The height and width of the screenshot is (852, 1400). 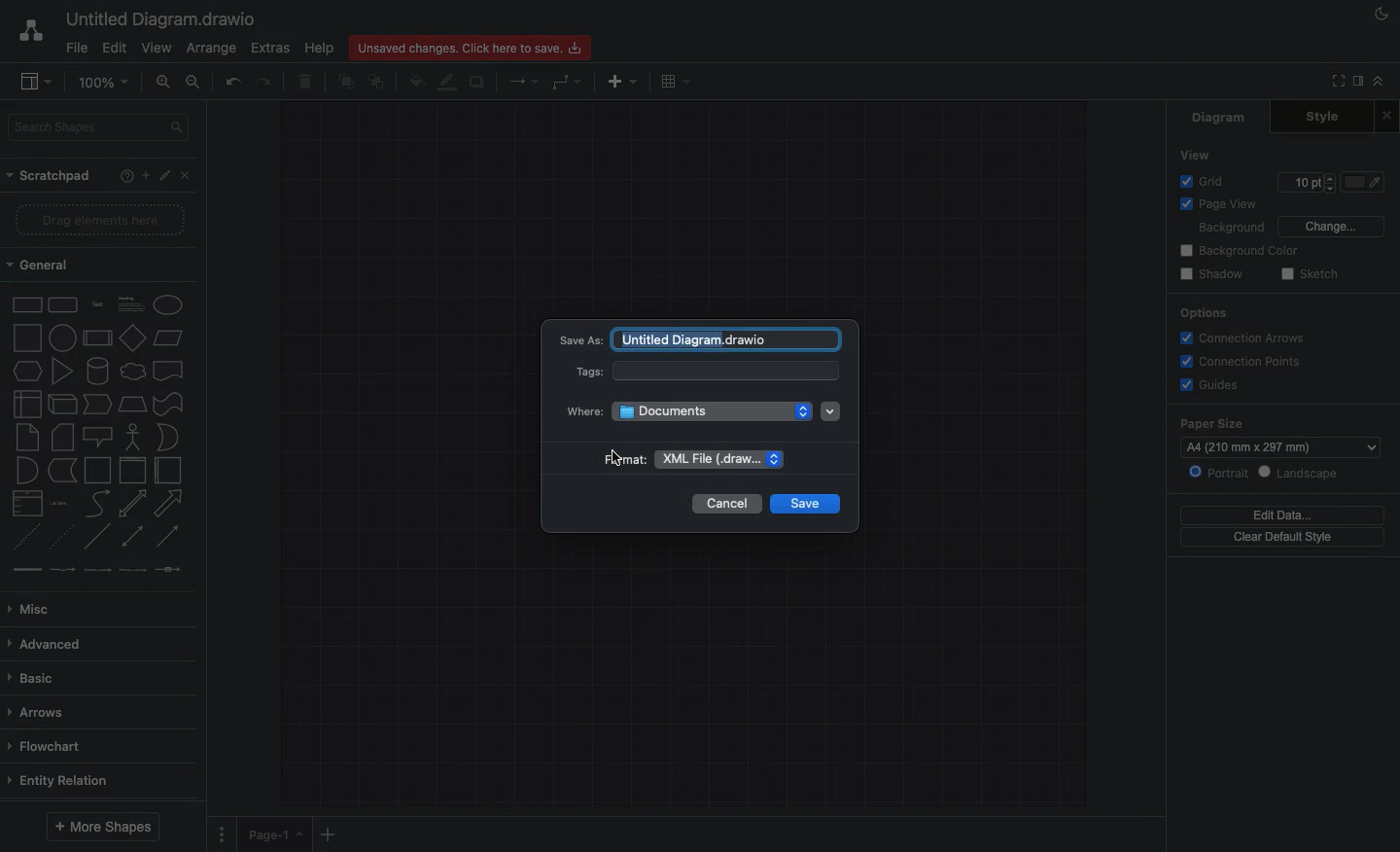 I want to click on Page view, so click(x=1220, y=205).